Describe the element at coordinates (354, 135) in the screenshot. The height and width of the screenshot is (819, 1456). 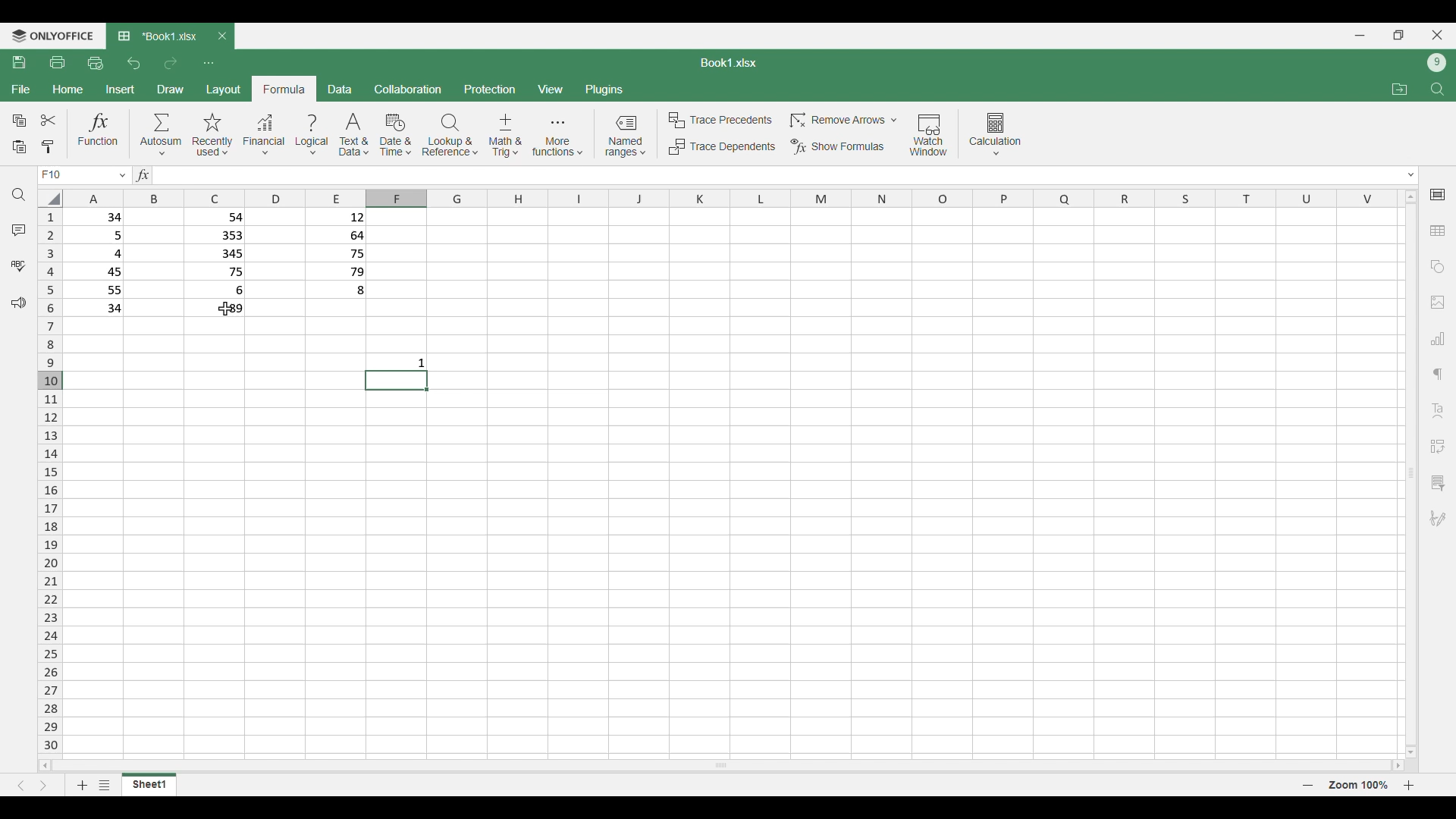
I see `Text and data` at that location.